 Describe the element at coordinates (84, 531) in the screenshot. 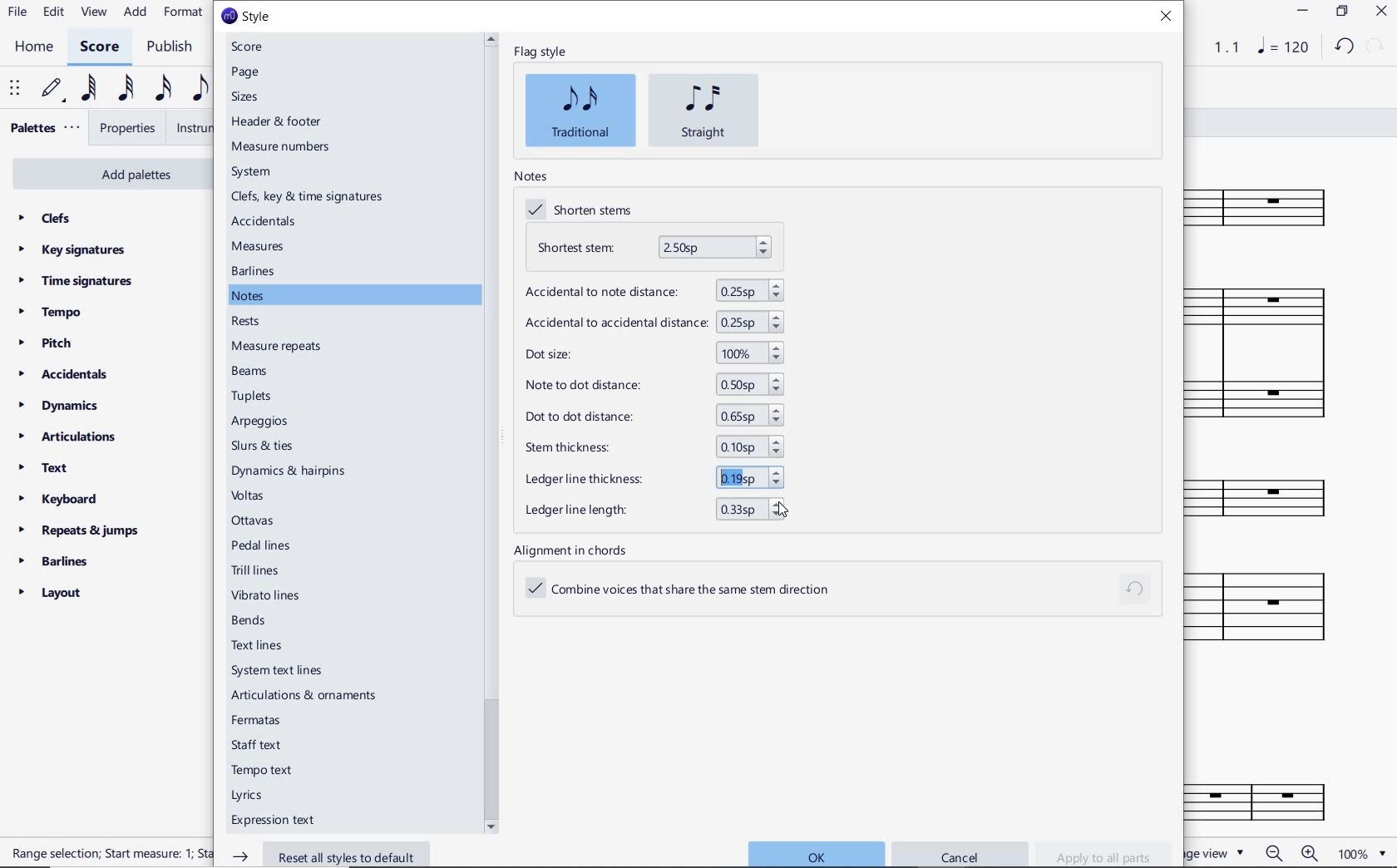

I see `repeats & jumps` at that location.